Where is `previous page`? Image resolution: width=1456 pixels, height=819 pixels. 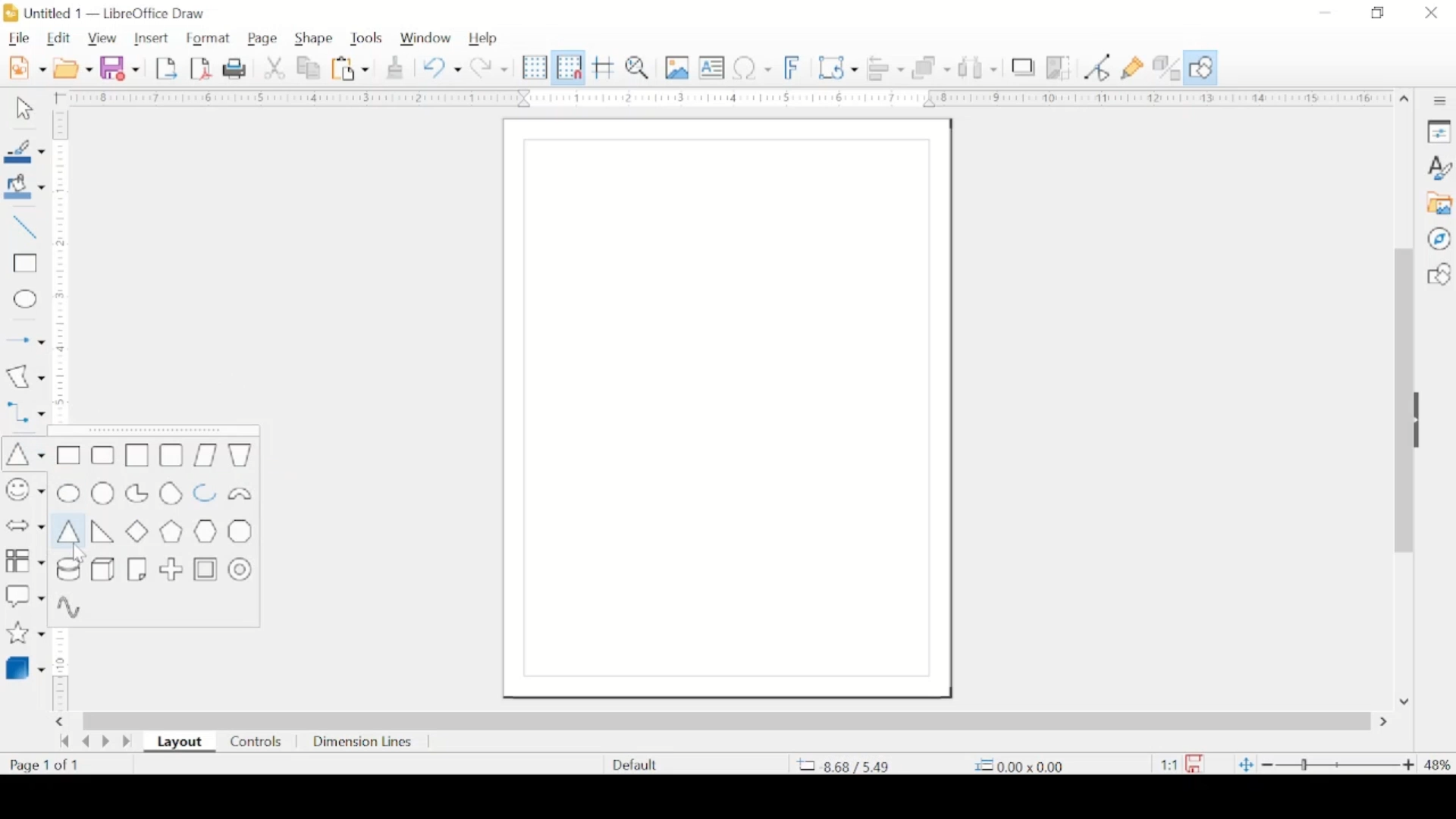 previous page is located at coordinates (86, 742).